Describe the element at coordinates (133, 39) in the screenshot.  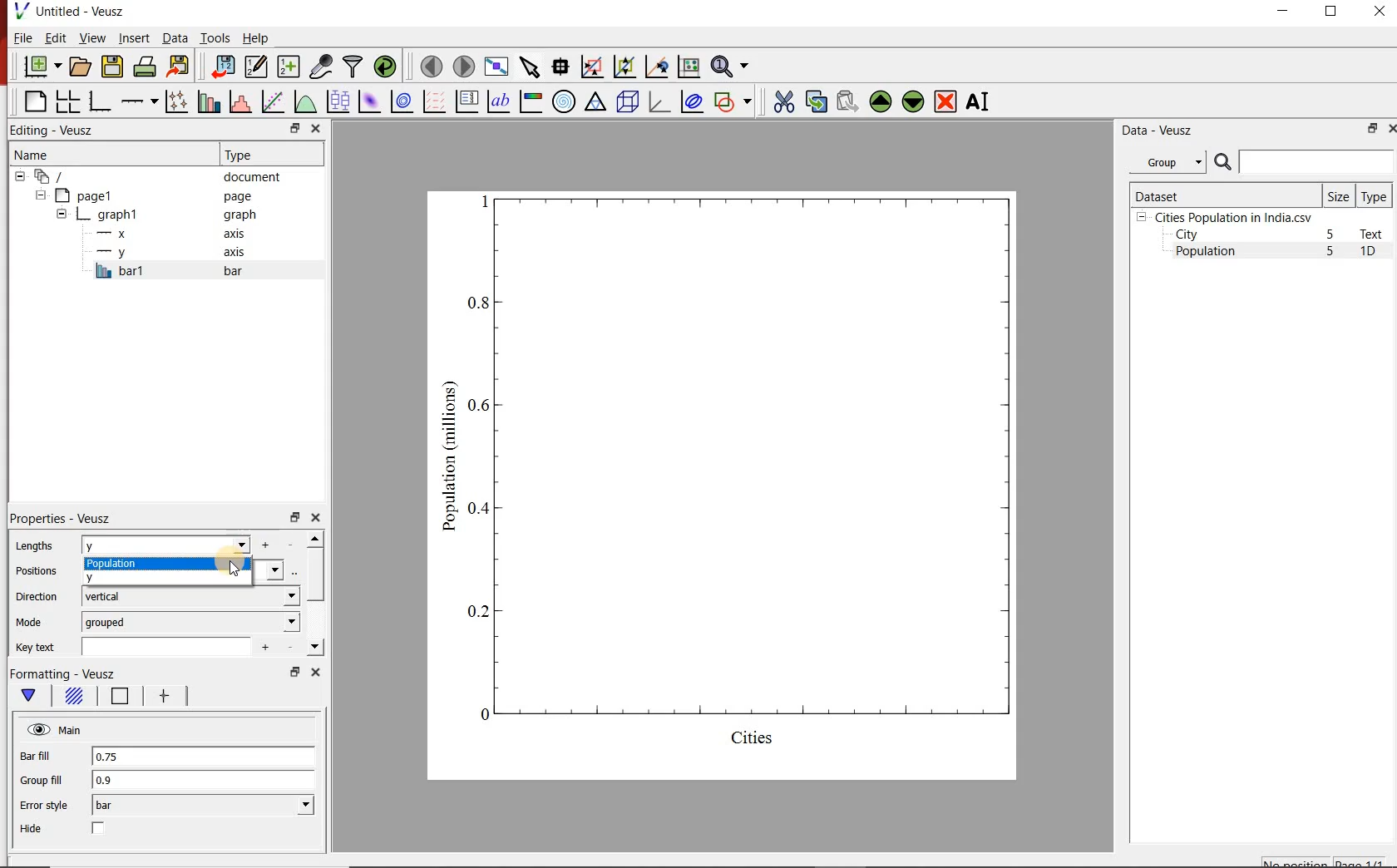
I see `Insert` at that location.